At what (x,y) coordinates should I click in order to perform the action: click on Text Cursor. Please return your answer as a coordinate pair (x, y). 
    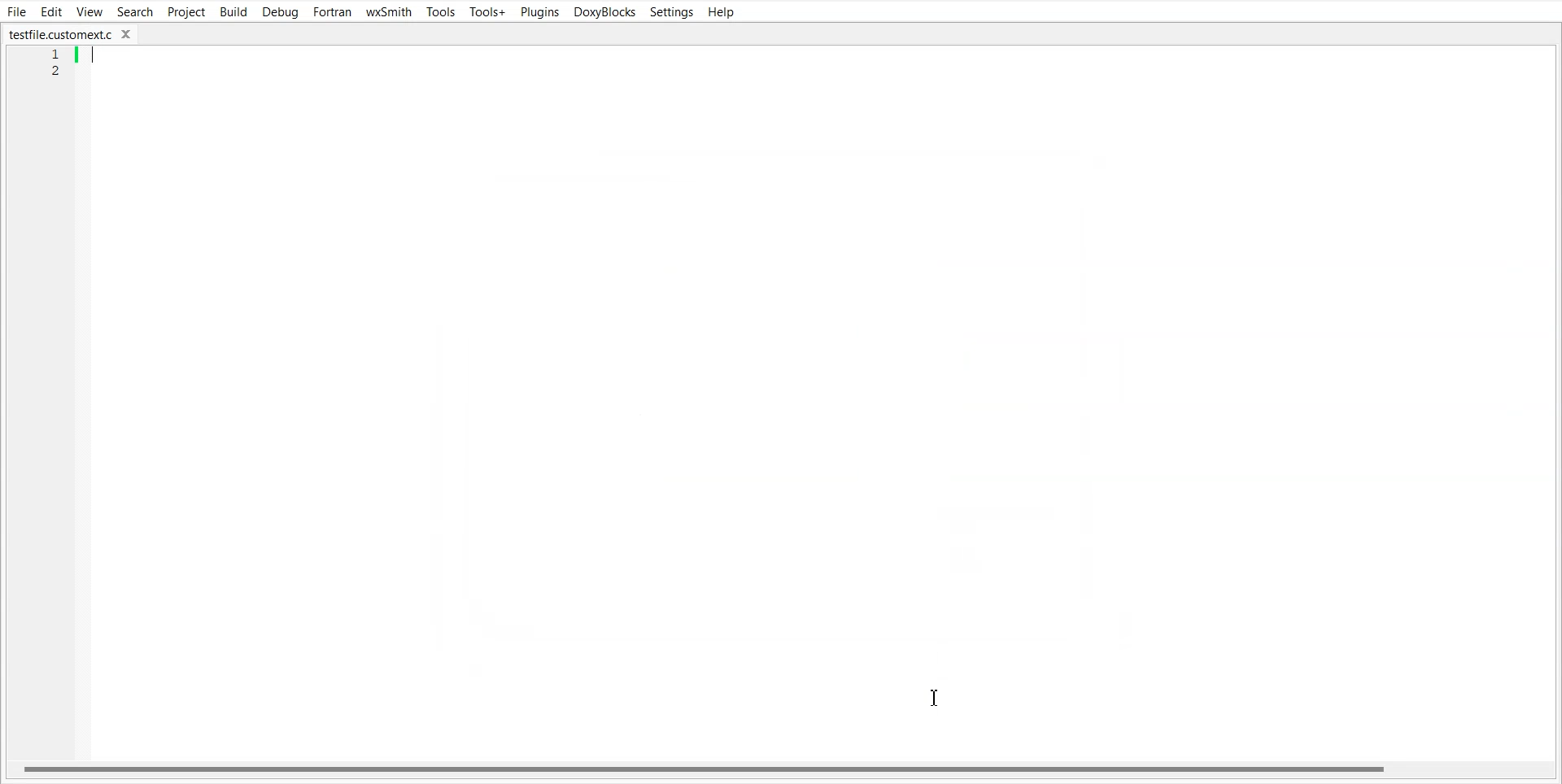
    Looking at the image, I should click on (94, 56).